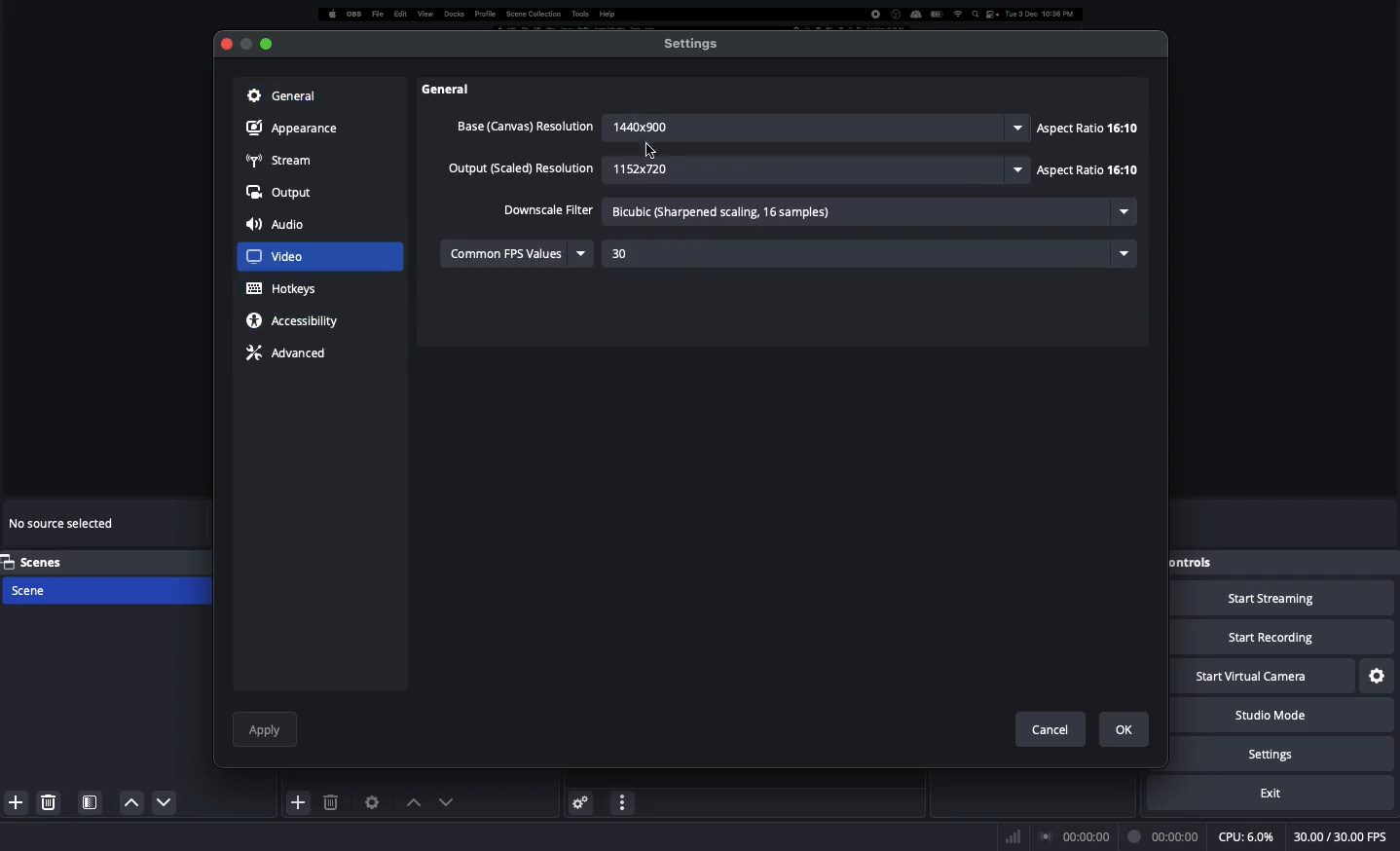  Describe the element at coordinates (692, 43) in the screenshot. I see `Settings` at that location.